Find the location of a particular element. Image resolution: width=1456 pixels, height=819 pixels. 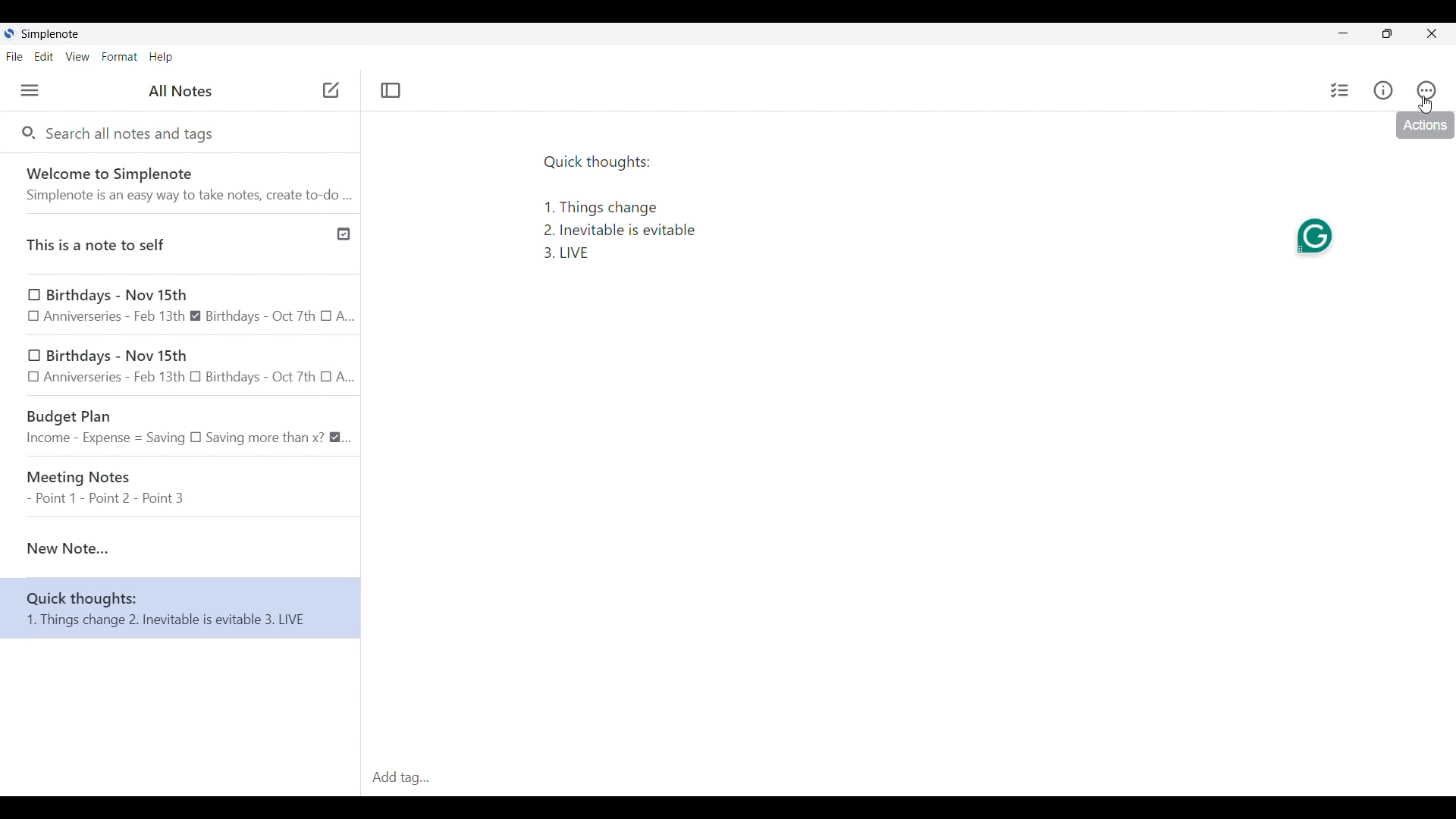

Minimize is located at coordinates (1343, 33).